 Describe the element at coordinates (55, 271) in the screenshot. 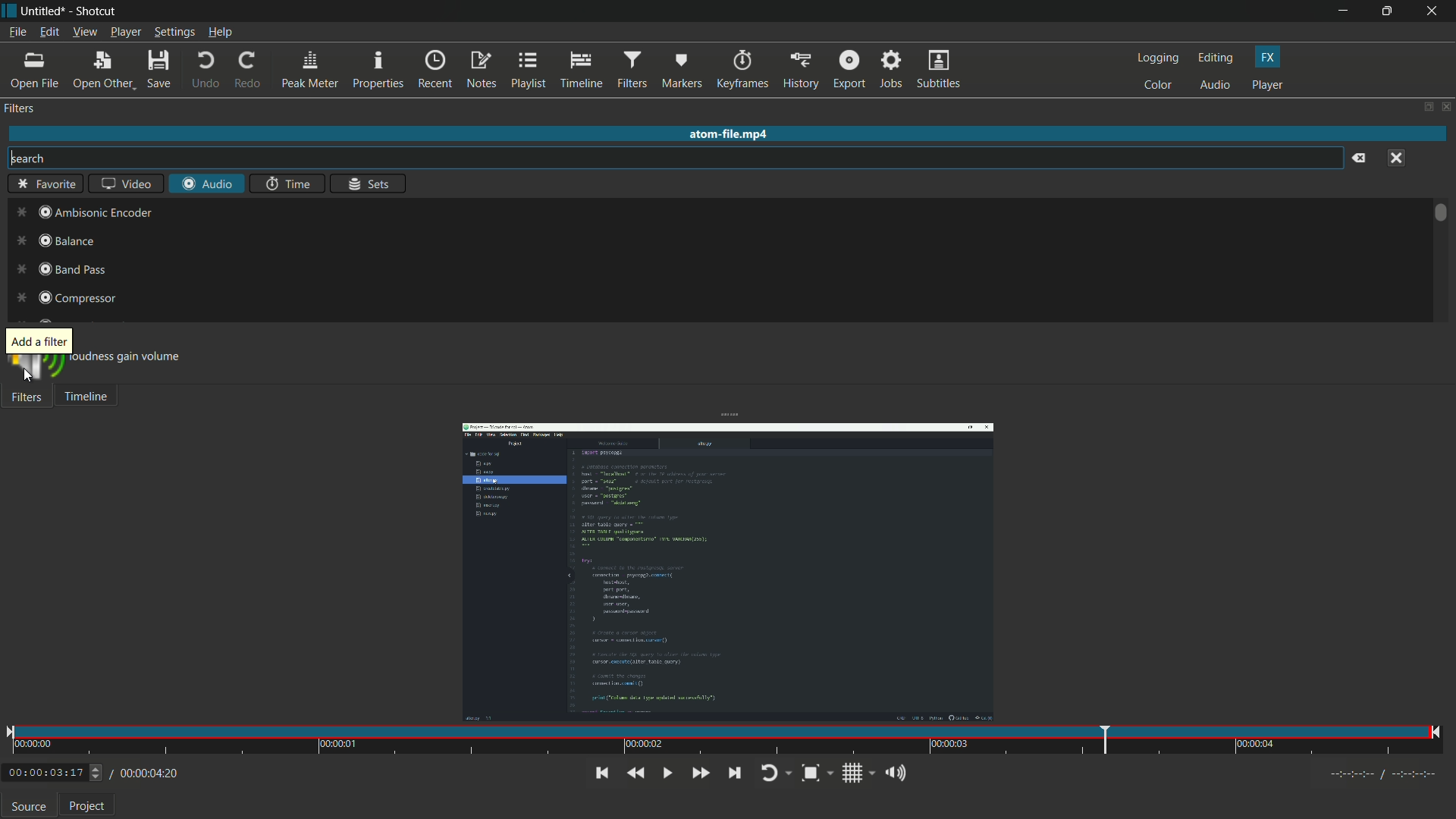

I see `band pass` at that location.